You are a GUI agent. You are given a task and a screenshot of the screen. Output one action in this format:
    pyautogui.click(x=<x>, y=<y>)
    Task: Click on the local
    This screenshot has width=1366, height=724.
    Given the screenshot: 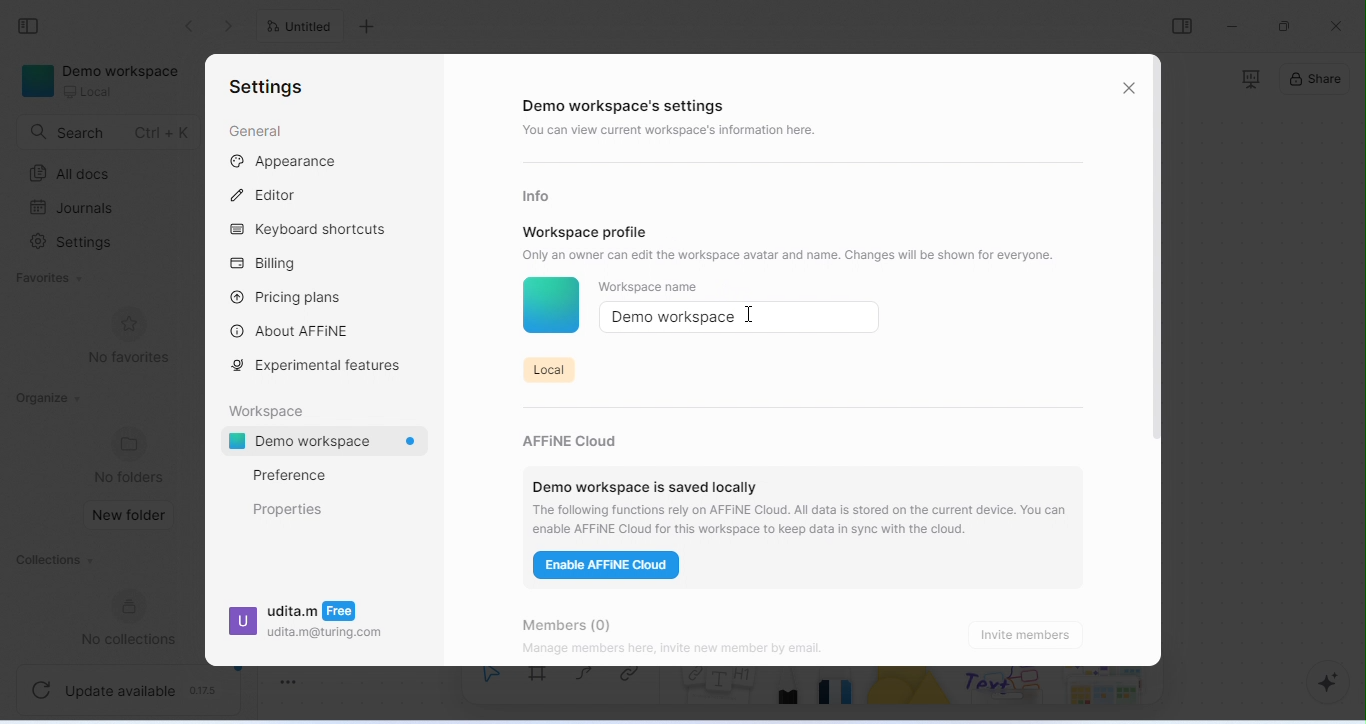 What is the action you would take?
    pyautogui.click(x=547, y=368)
    